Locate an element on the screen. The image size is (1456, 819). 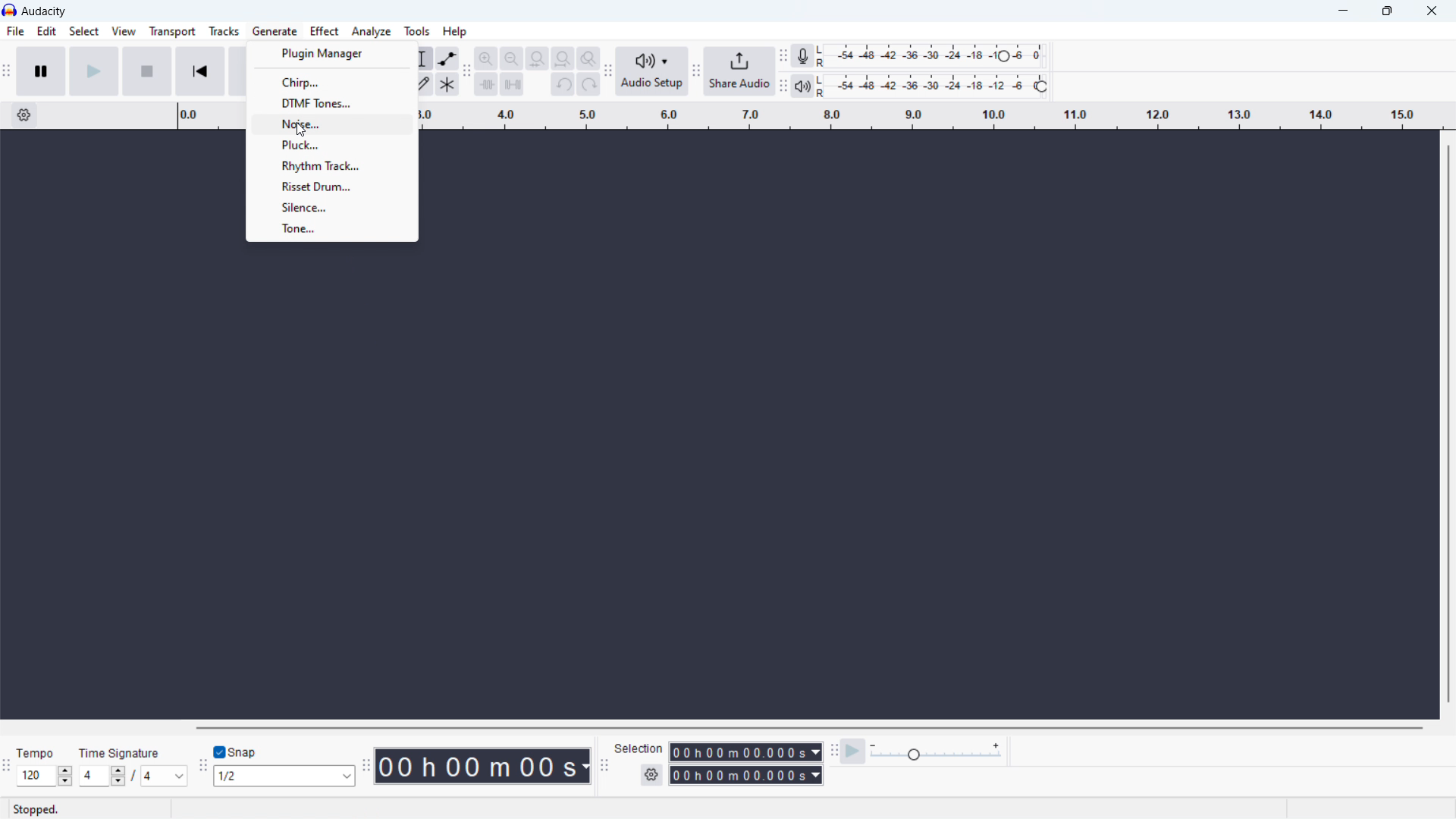
Time signature is located at coordinates (121, 753).